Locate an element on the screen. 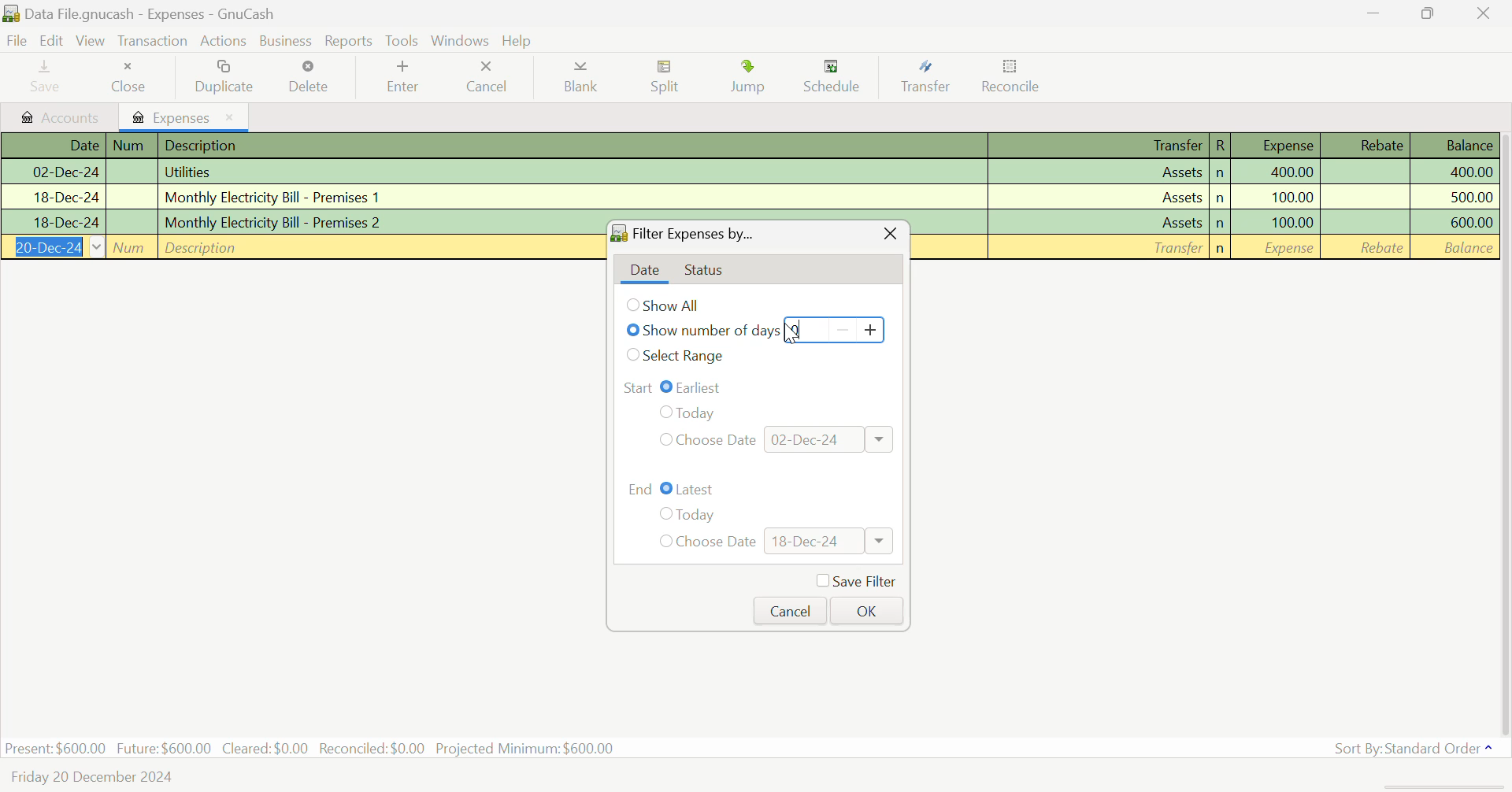  Choose Date: 02-Dec-24 is located at coordinates (773, 440).